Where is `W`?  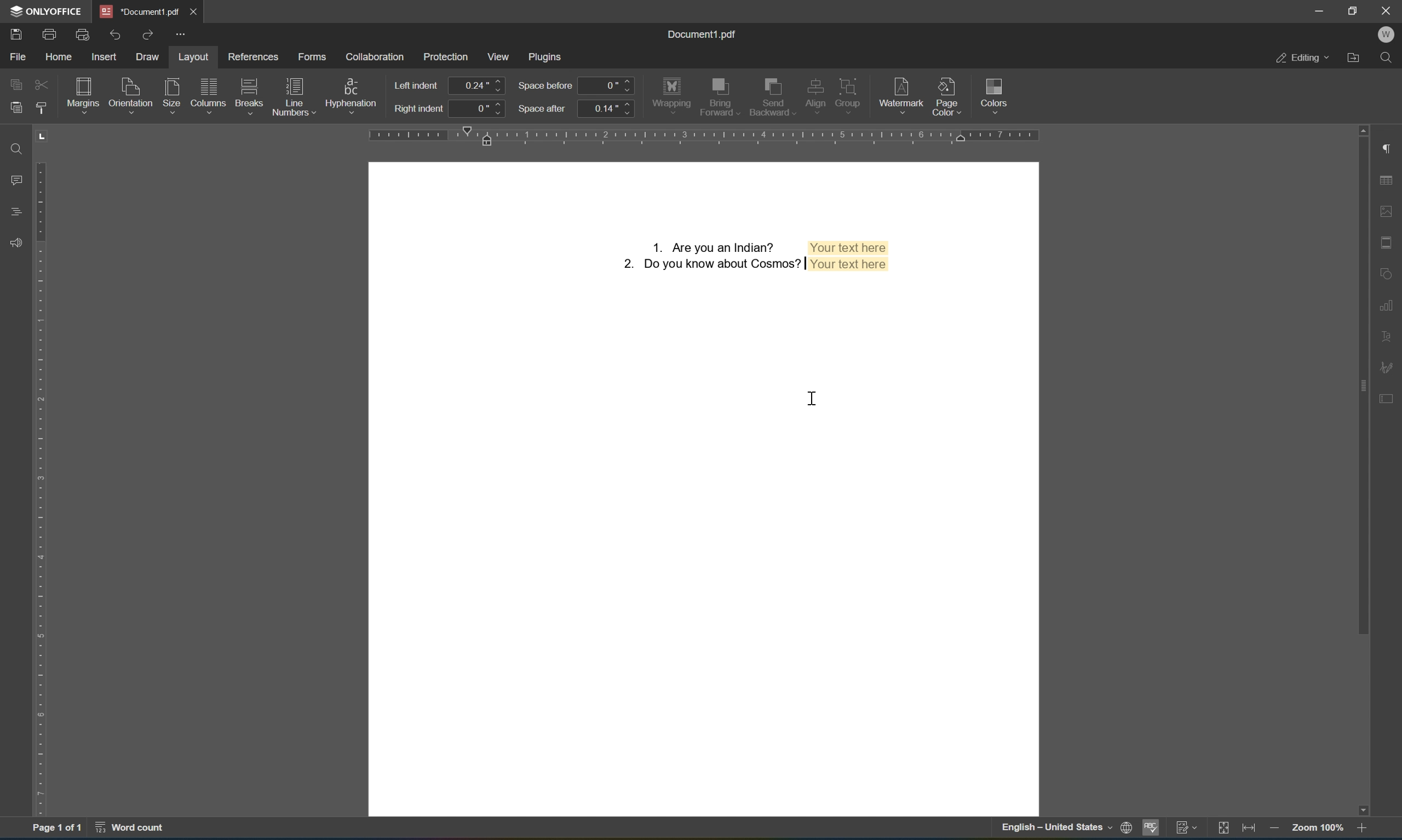 W is located at coordinates (1388, 33).